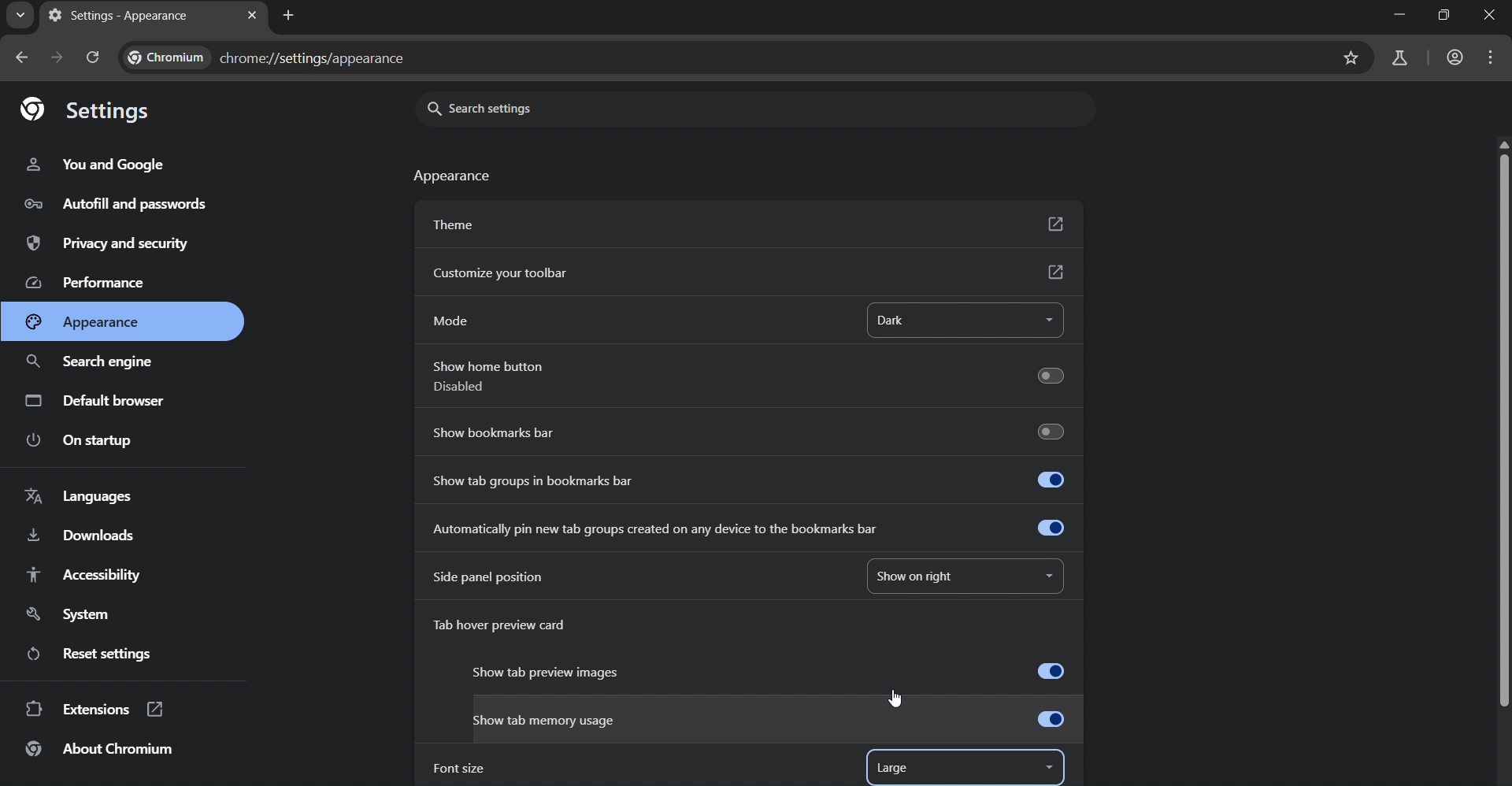 This screenshot has height=786, width=1512. I want to click on reset settings, so click(89, 654).